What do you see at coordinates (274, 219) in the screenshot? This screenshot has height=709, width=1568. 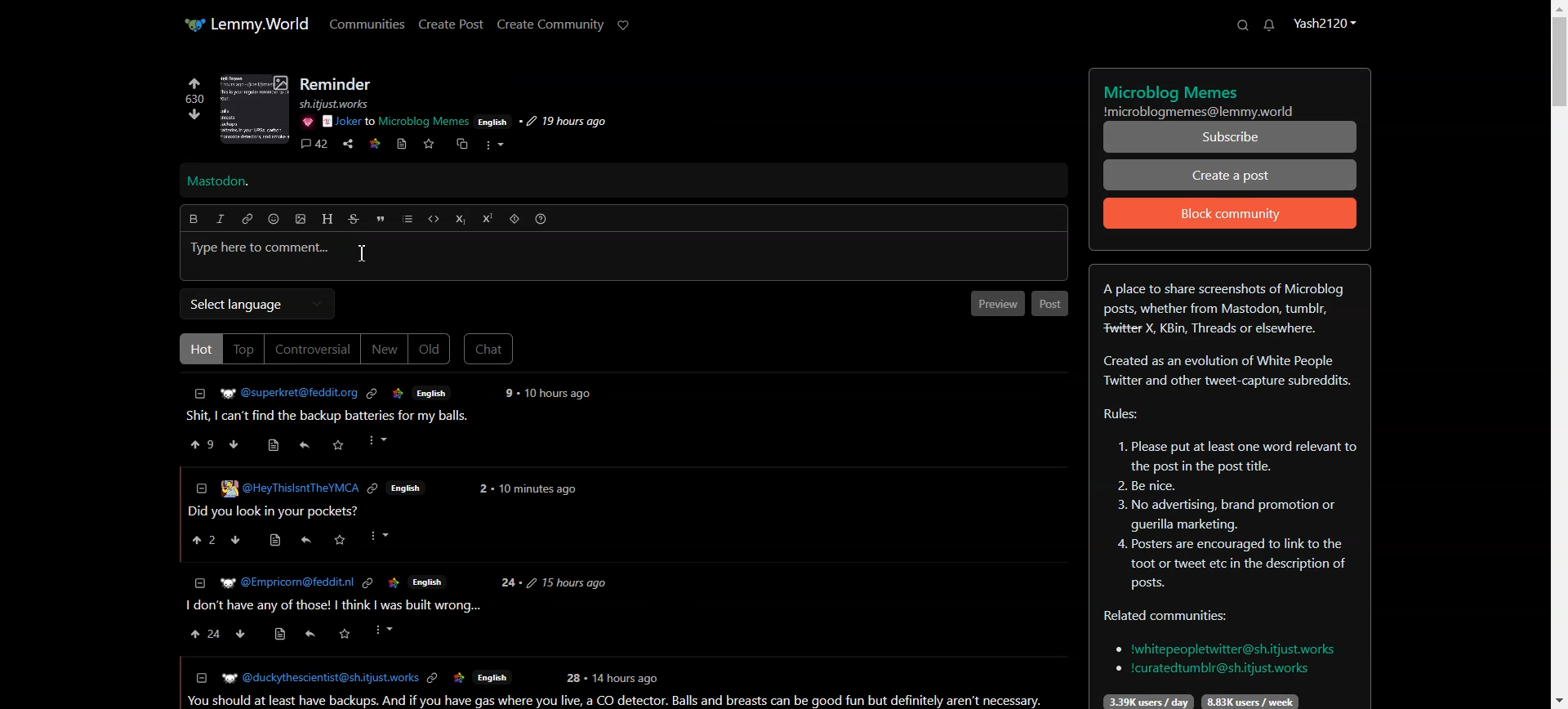 I see `Emoji` at bounding box center [274, 219].